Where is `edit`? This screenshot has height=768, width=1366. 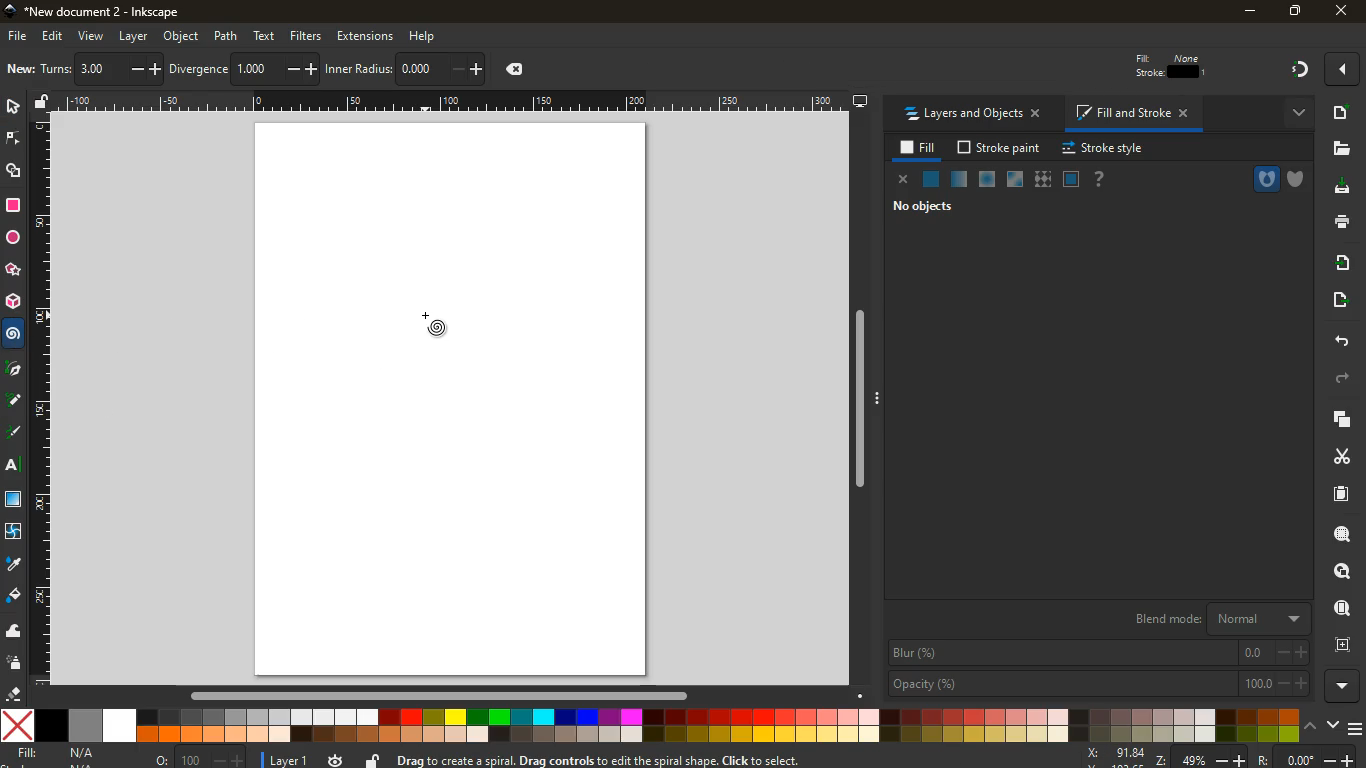
edit is located at coordinates (1190, 69).